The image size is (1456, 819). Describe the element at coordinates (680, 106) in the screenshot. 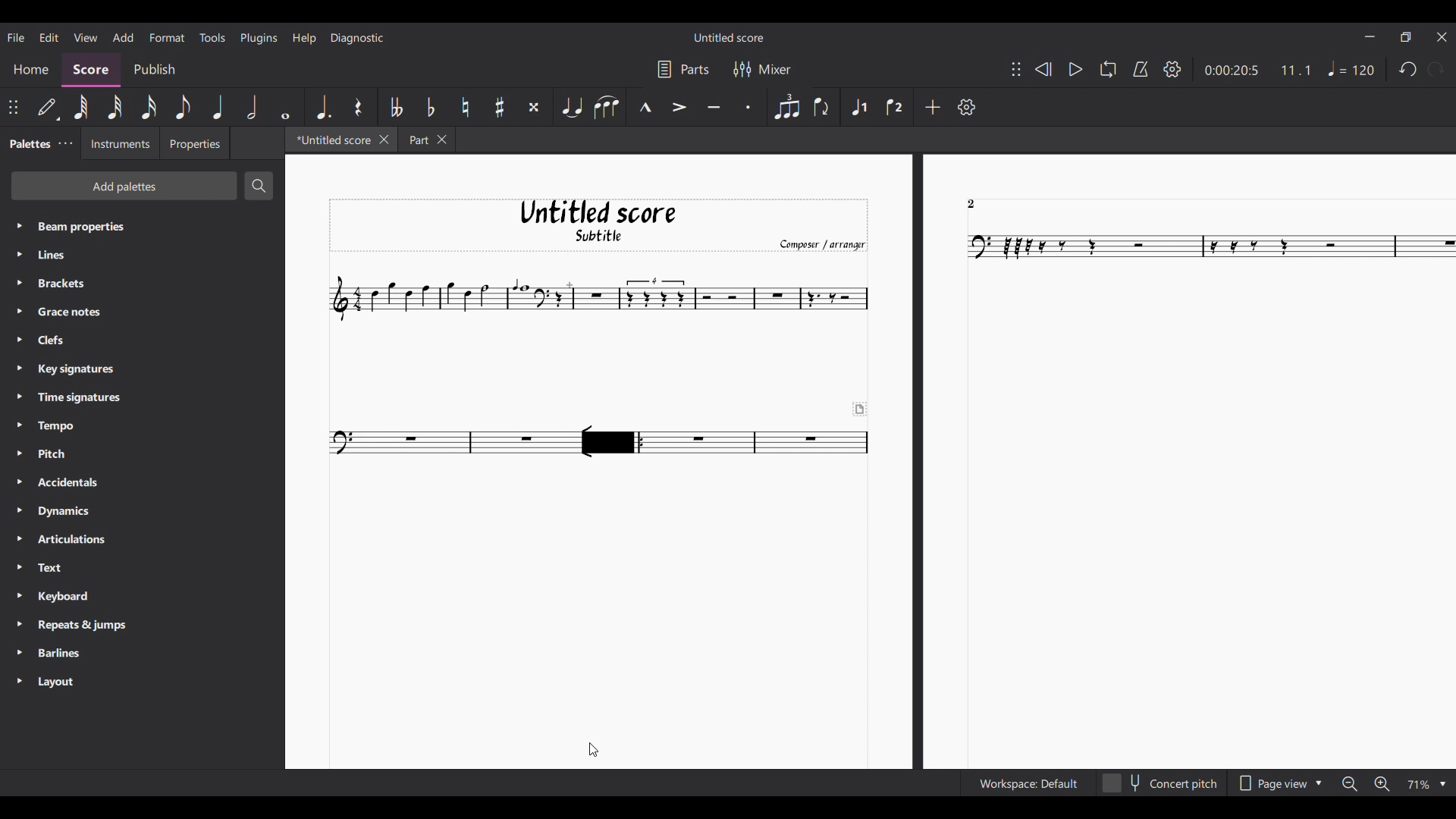

I see `Accent` at that location.